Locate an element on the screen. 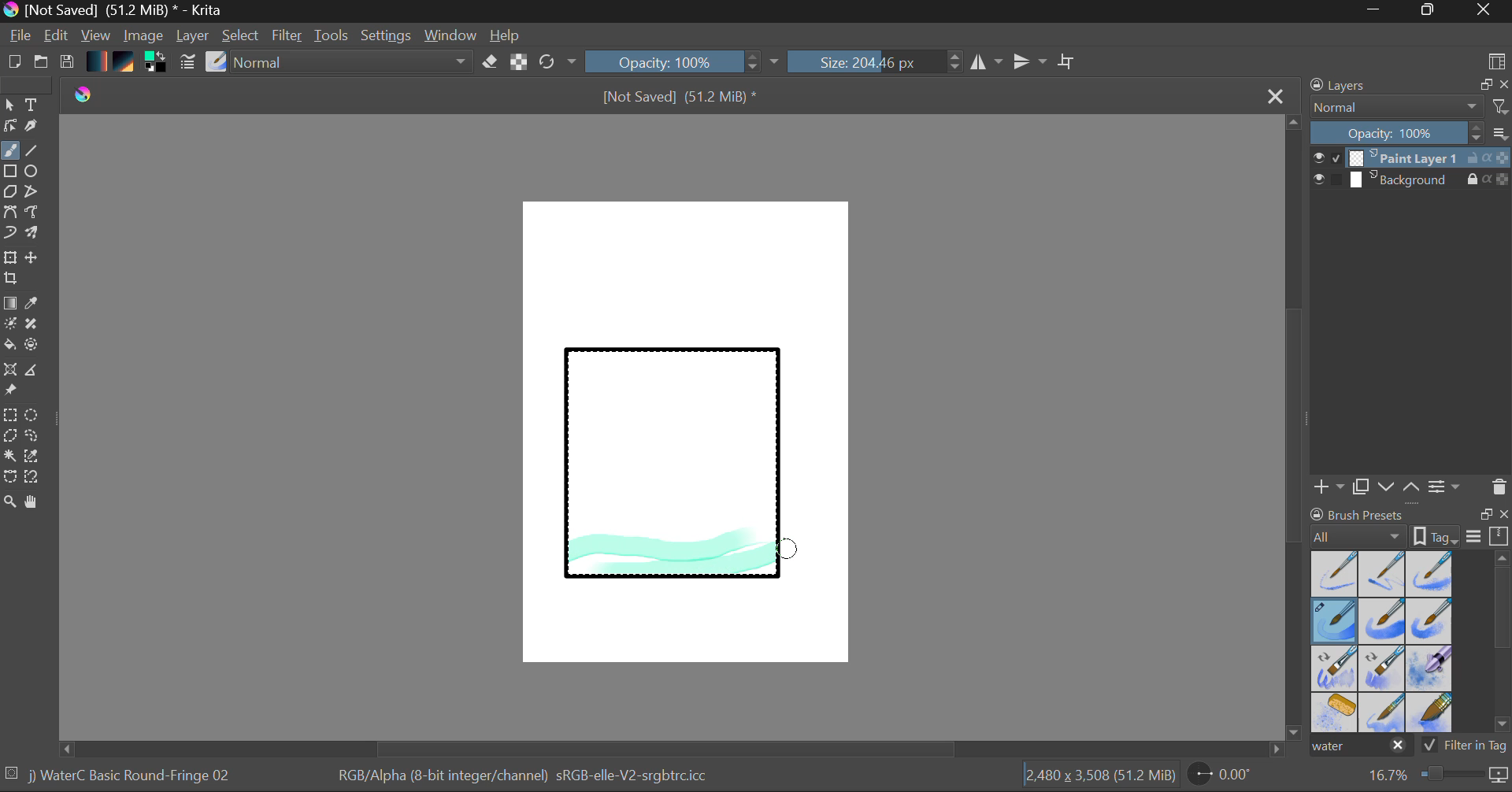 The image size is (1512, 792). Vertical Mirror Flip is located at coordinates (986, 62).